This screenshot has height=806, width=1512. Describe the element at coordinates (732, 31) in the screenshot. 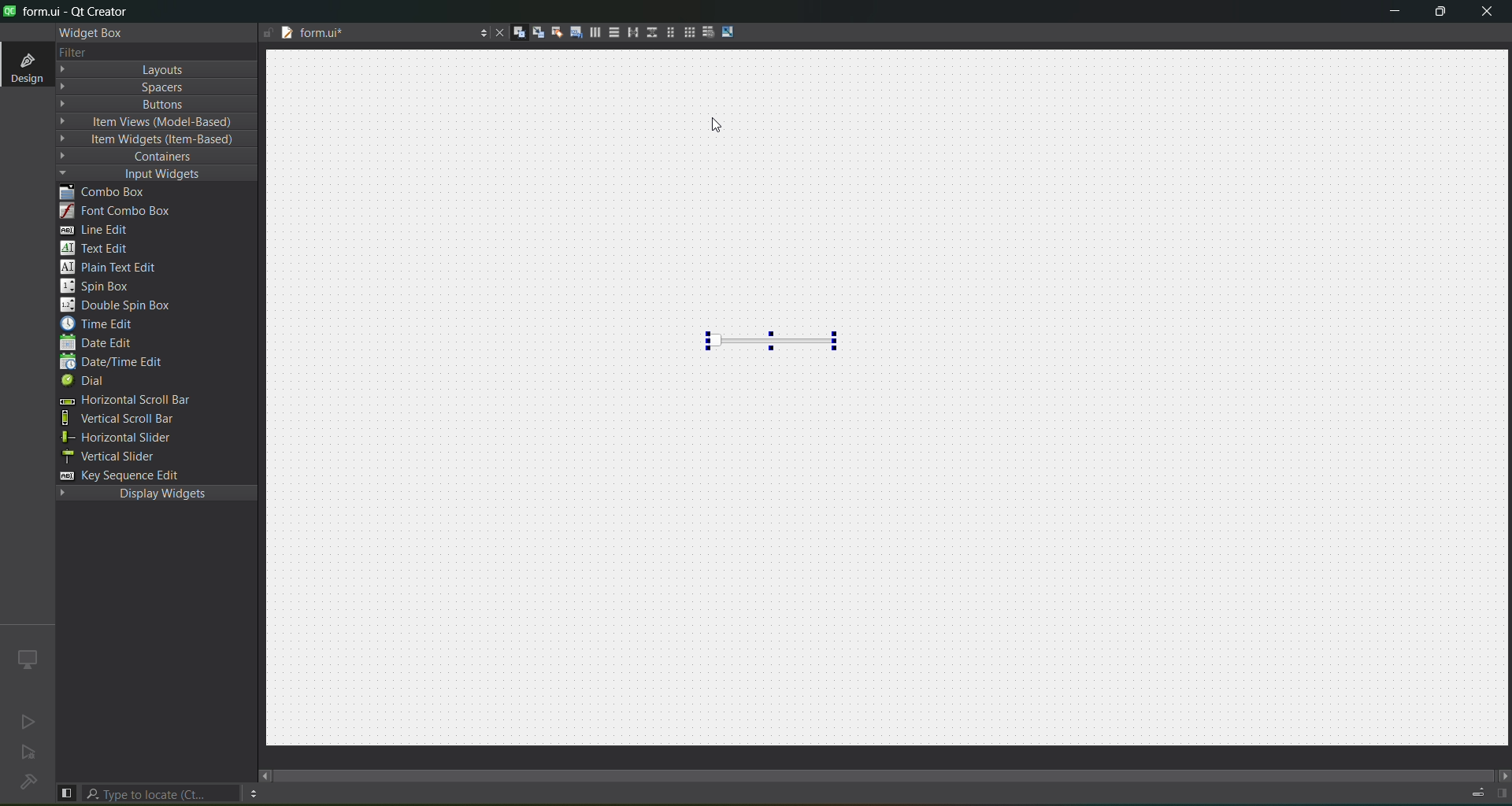

I see `adjust size` at that location.